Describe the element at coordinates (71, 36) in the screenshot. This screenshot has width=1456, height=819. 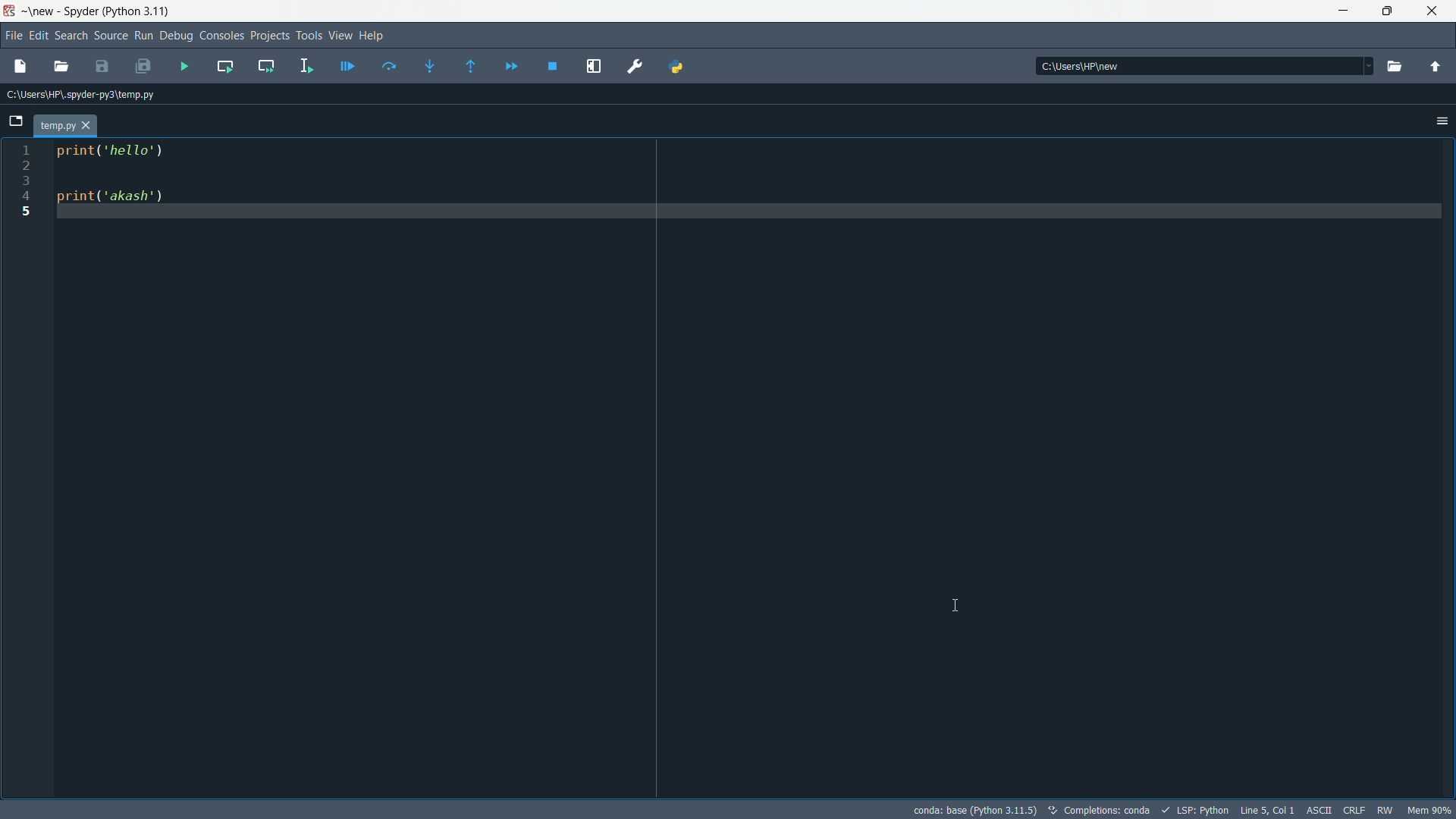
I see `search menu` at that location.